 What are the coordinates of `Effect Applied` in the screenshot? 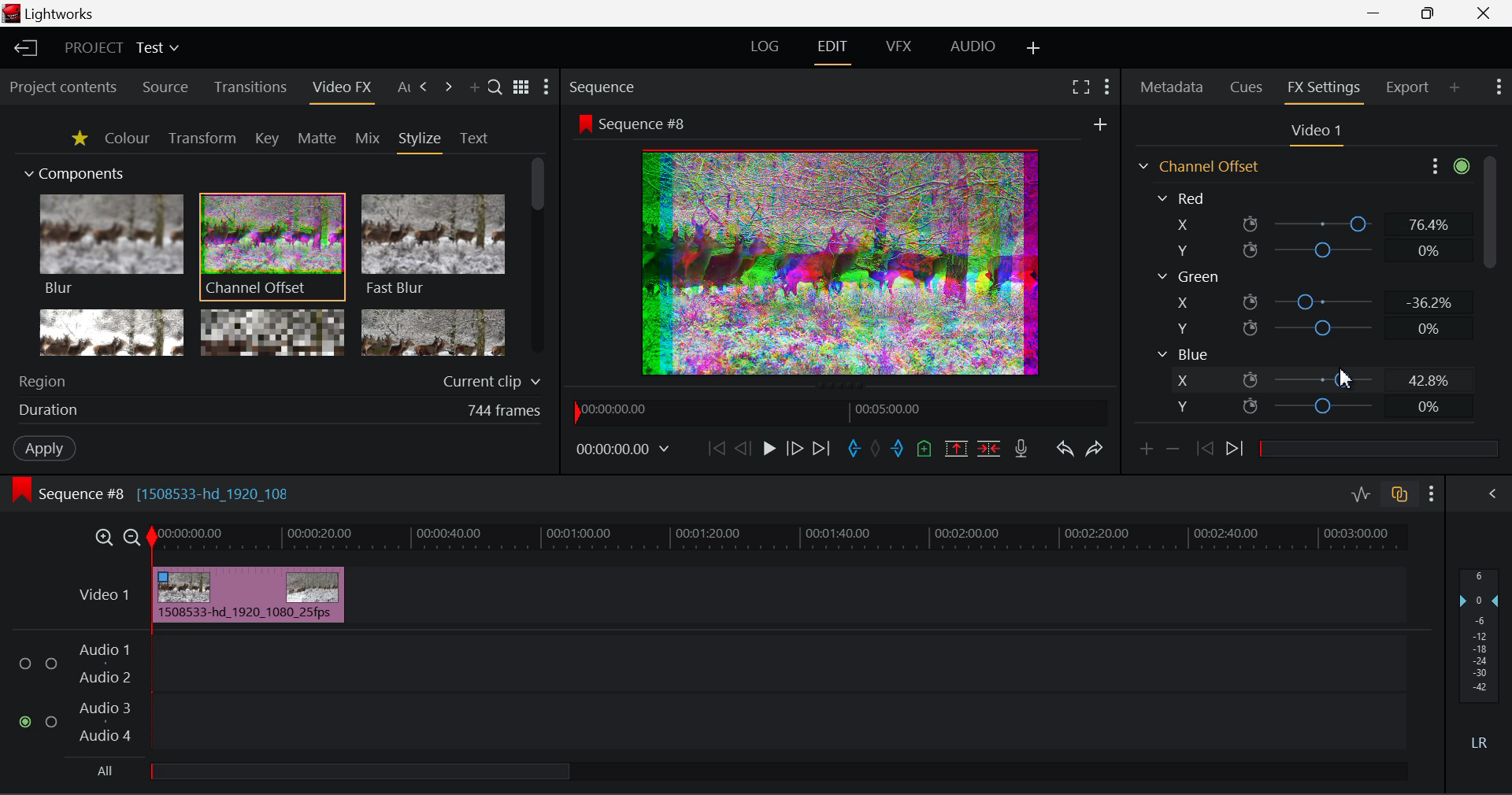 It's located at (250, 592).